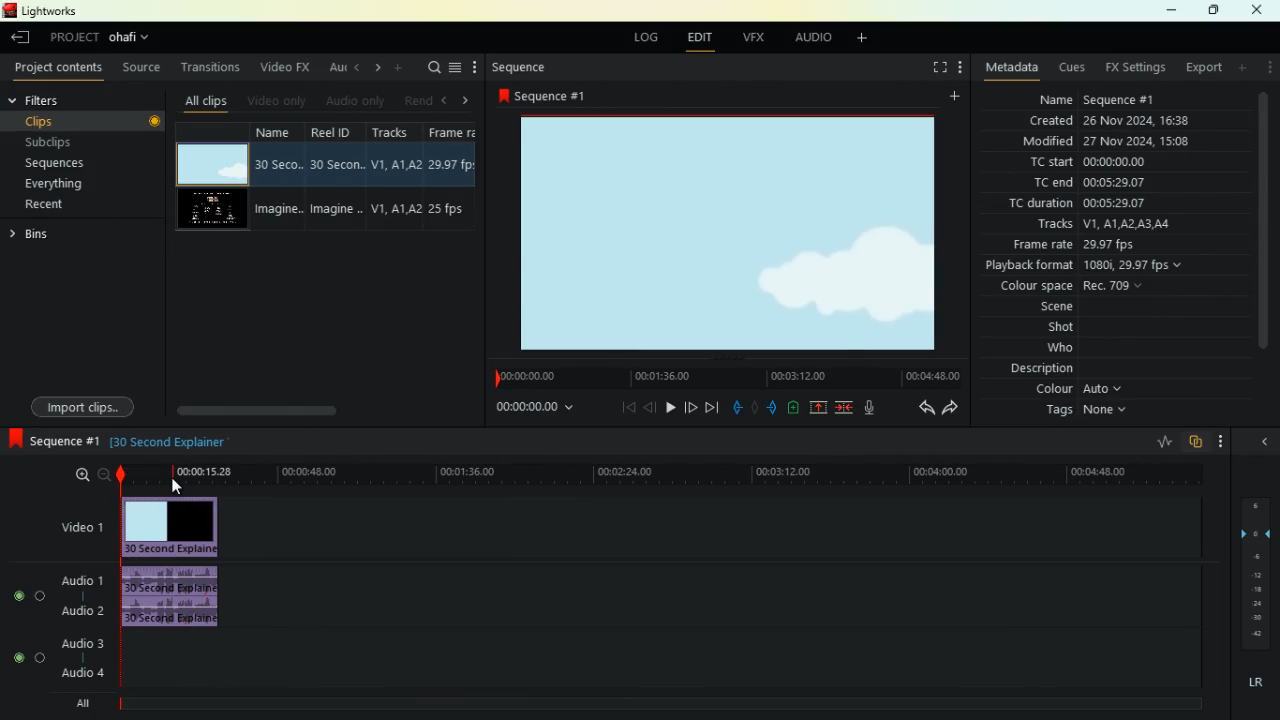 This screenshot has height=720, width=1280. I want to click on filters, so click(59, 101).